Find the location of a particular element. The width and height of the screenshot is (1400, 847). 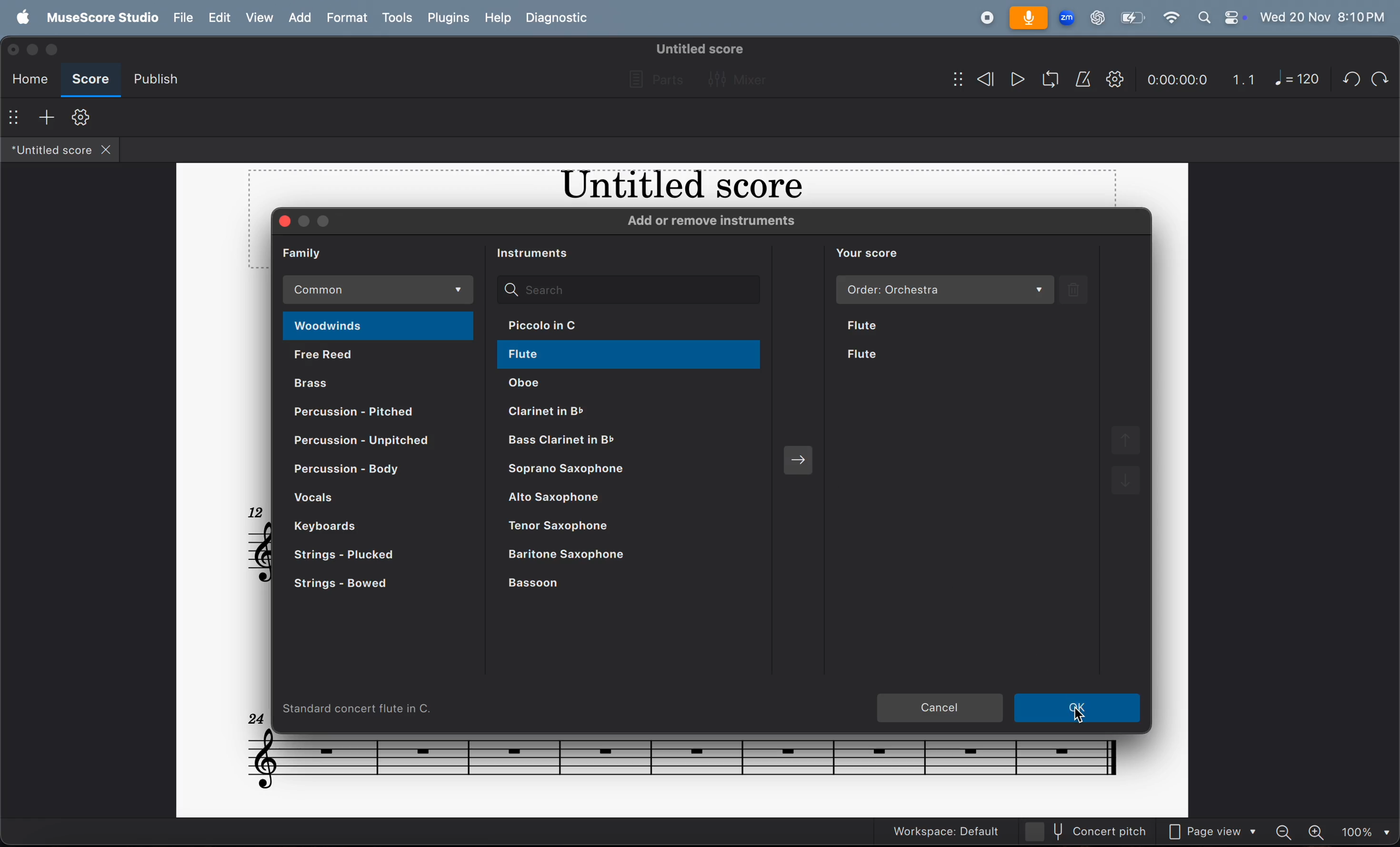

instruments is located at coordinates (537, 251).